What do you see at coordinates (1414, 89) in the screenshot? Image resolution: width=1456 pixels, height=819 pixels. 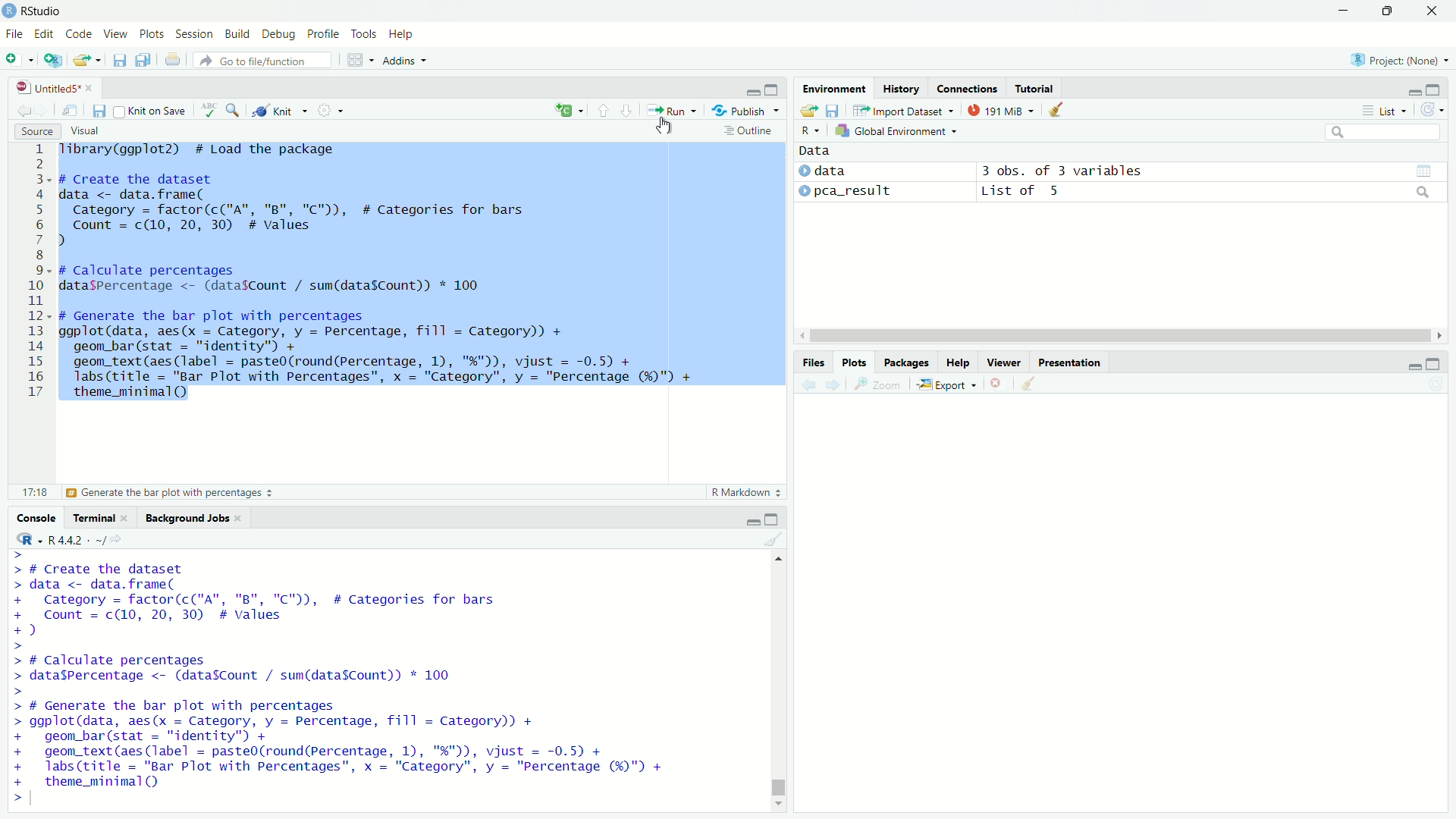 I see `minimize` at bounding box center [1414, 89].